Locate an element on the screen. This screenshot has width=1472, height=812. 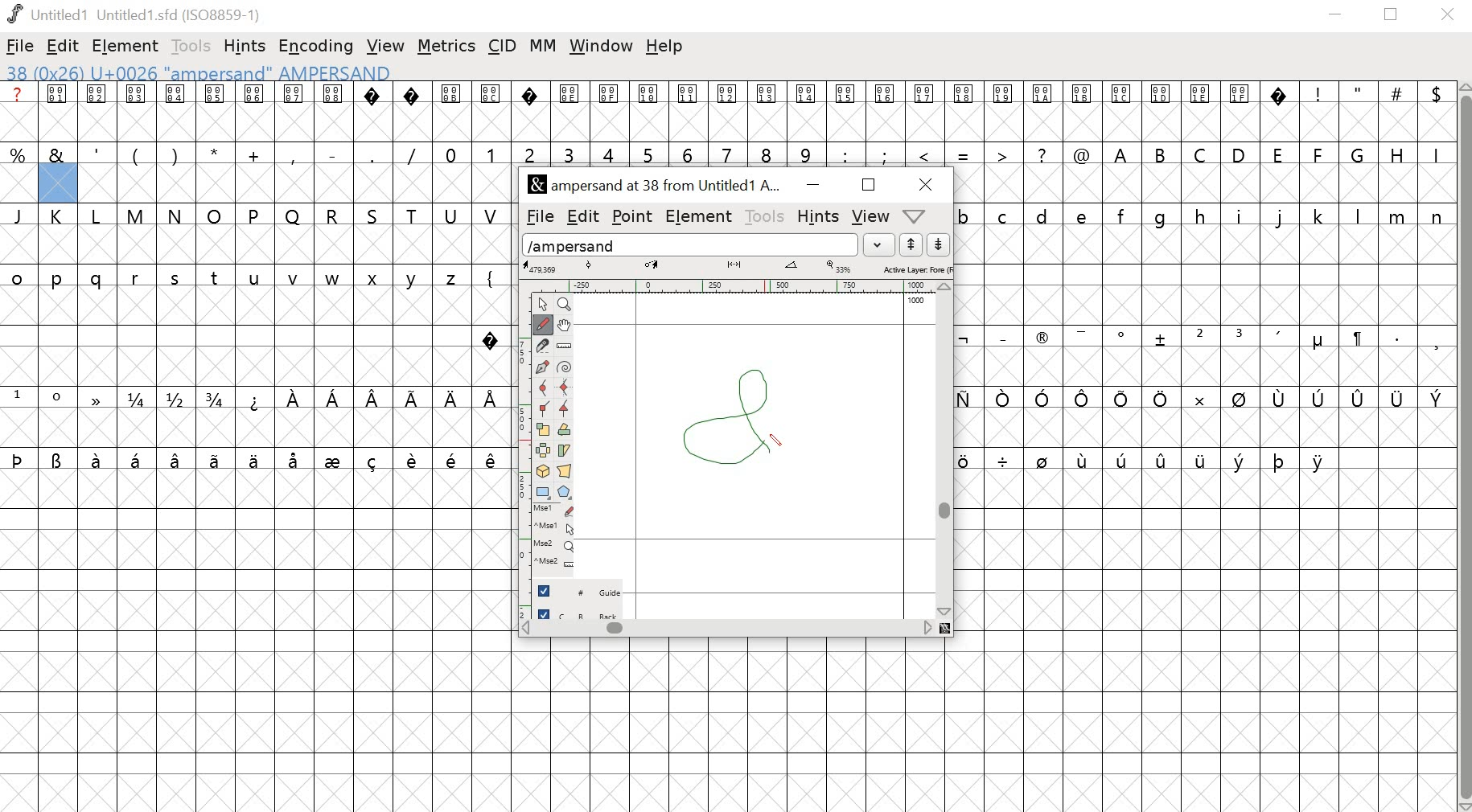
symbol is located at coordinates (1082, 335).